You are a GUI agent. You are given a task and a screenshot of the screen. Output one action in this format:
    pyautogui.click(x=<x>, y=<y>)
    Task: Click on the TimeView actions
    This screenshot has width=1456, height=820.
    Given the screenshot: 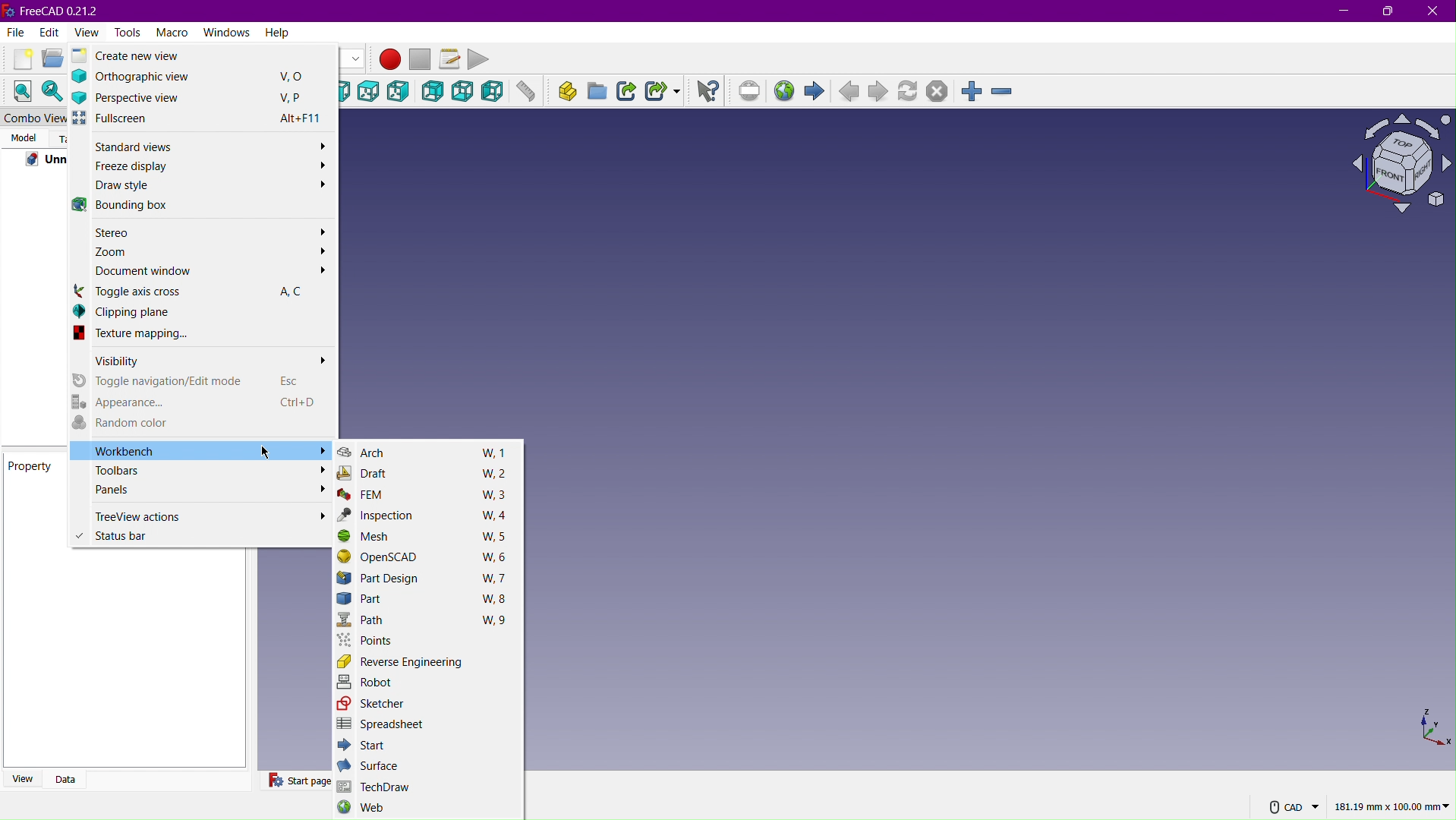 What is the action you would take?
    pyautogui.click(x=203, y=512)
    